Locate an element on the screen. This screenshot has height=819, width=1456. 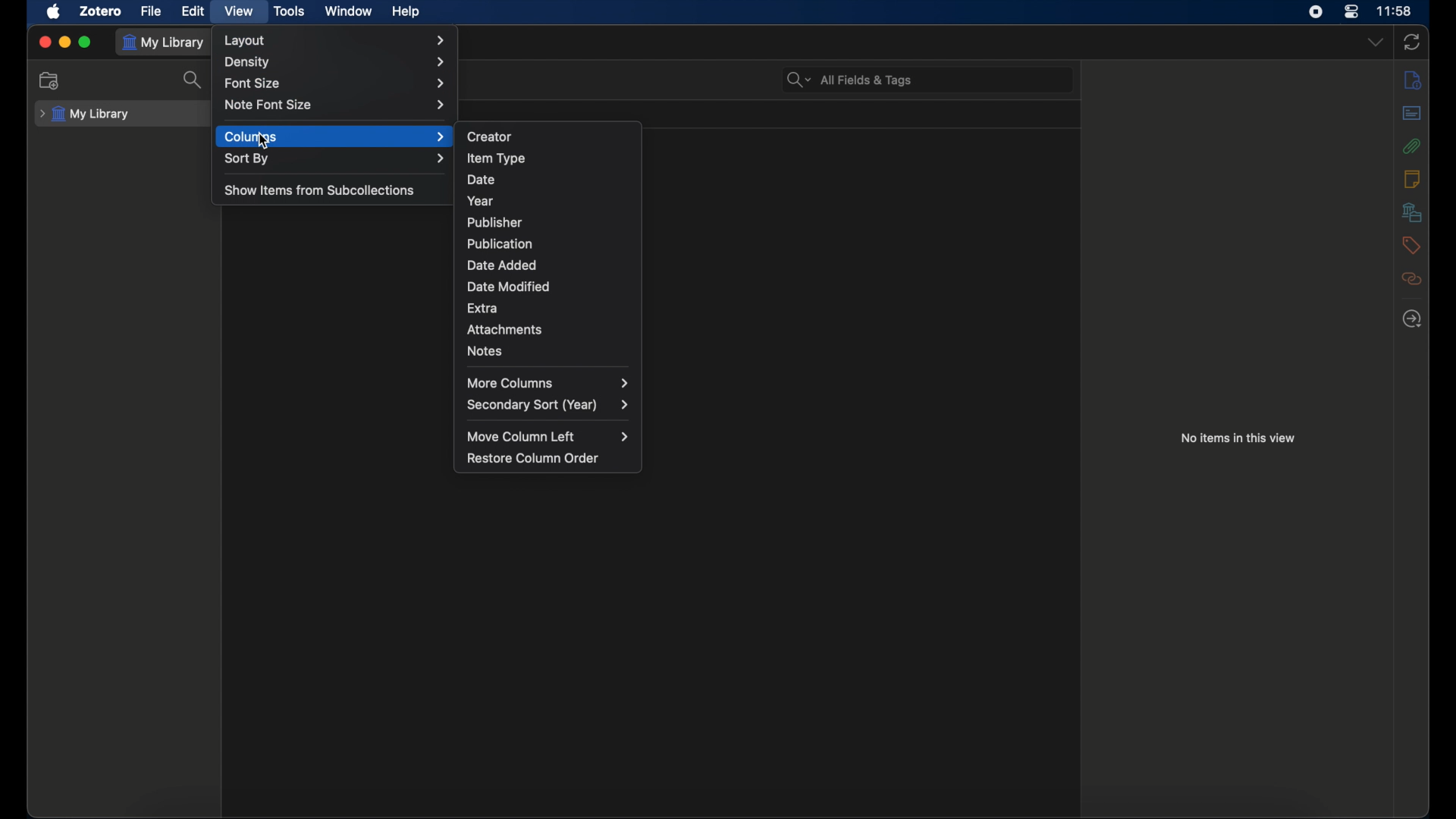
screen recorder is located at coordinates (1316, 11).